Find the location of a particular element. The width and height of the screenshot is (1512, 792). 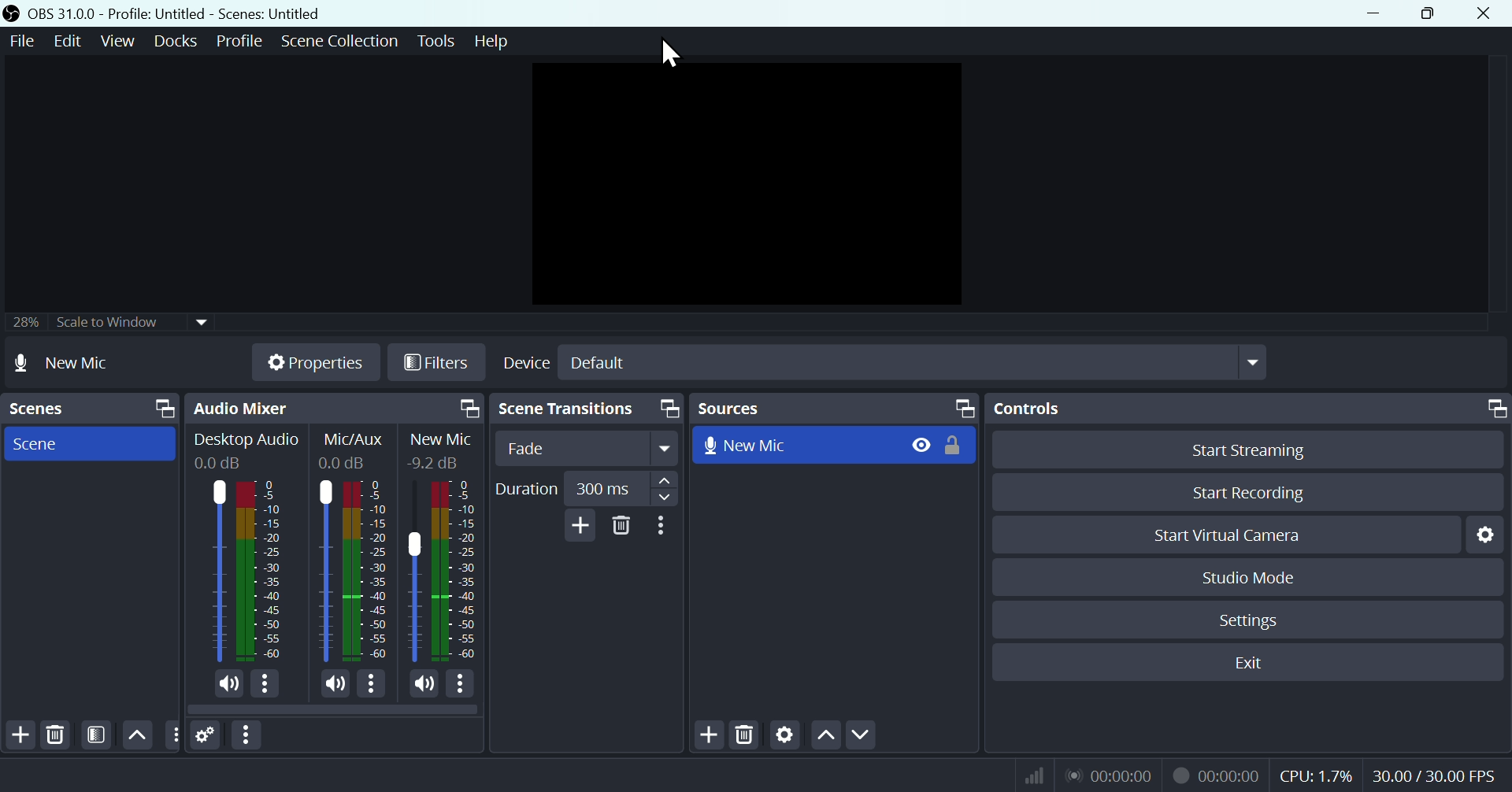

Delete is located at coordinates (622, 526).